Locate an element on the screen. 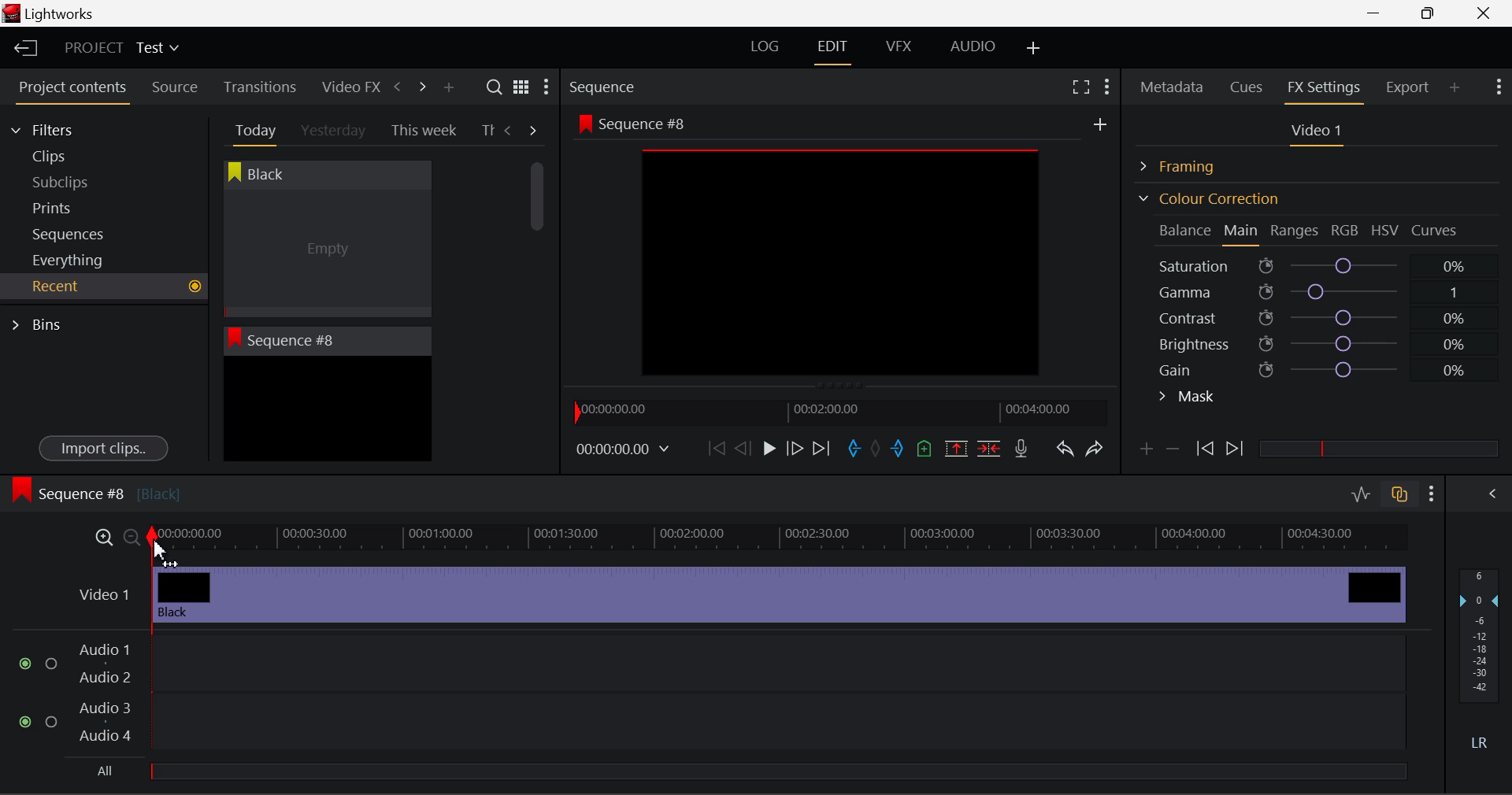  Project contents is located at coordinates (72, 91).